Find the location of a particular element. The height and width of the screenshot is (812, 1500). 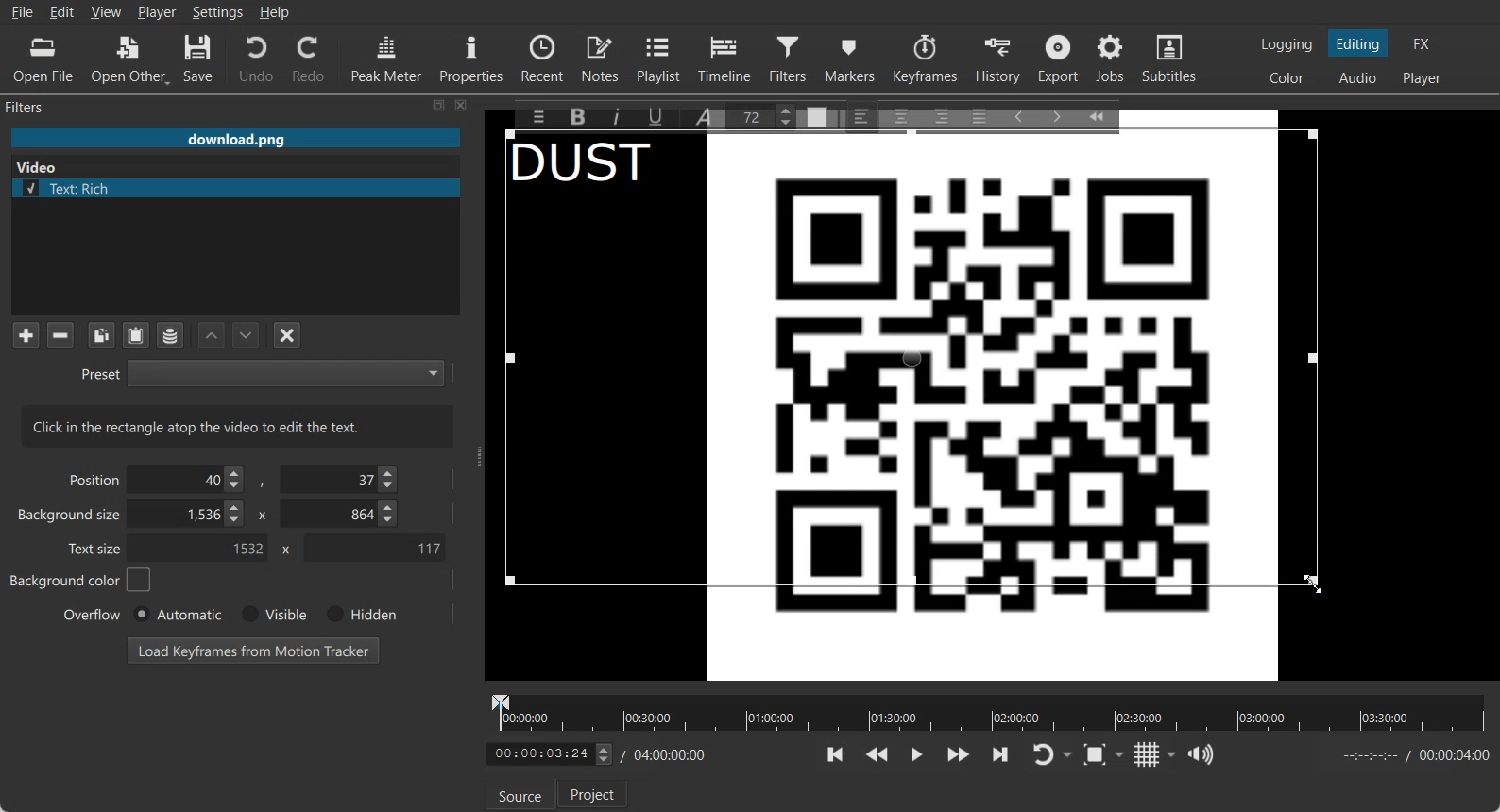

Load Keyframe from Motion Tracker is located at coordinates (253, 650).